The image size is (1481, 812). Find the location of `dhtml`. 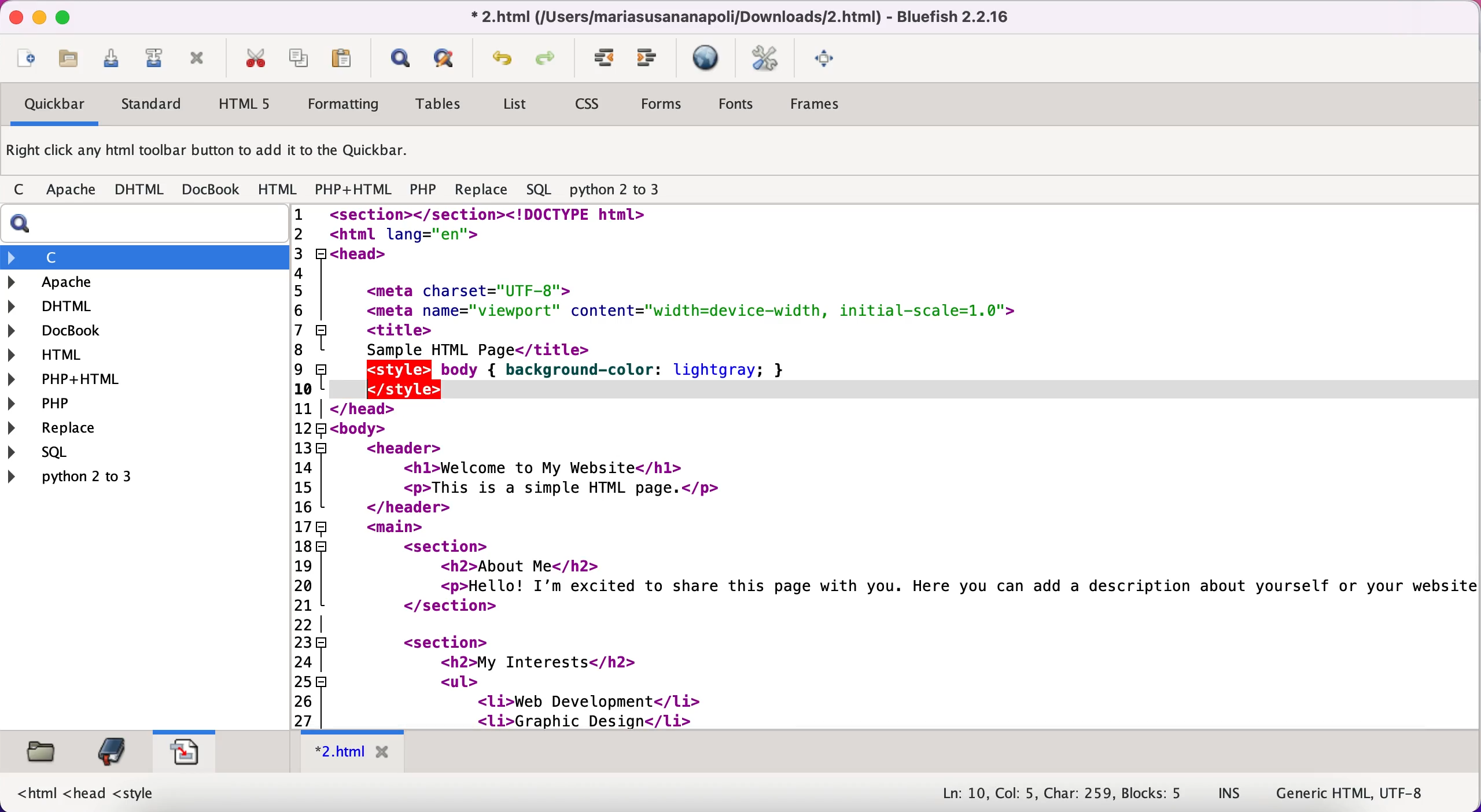

dhtml is located at coordinates (58, 305).